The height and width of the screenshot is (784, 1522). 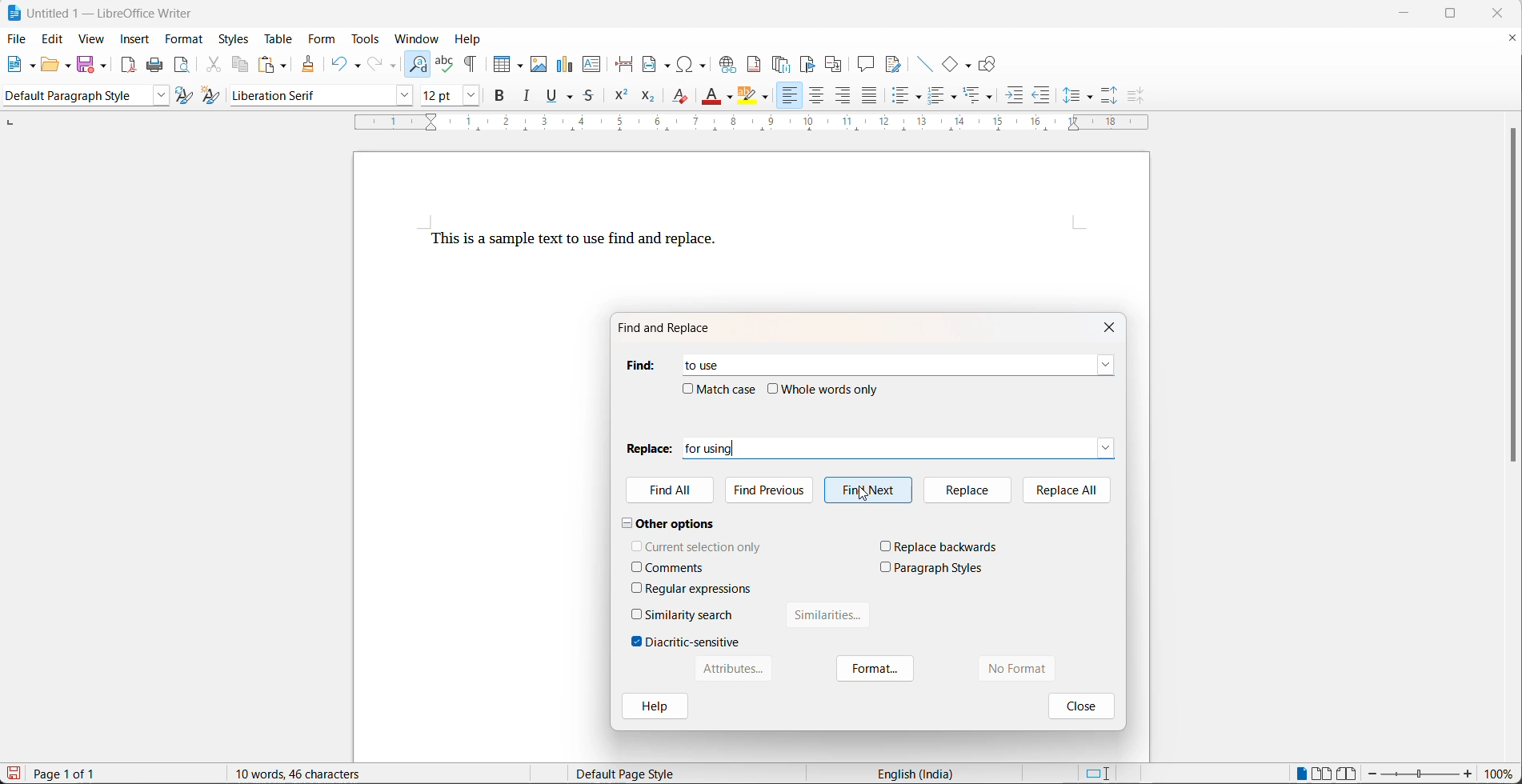 What do you see at coordinates (951, 64) in the screenshot?
I see `basic shapes` at bounding box center [951, 64].